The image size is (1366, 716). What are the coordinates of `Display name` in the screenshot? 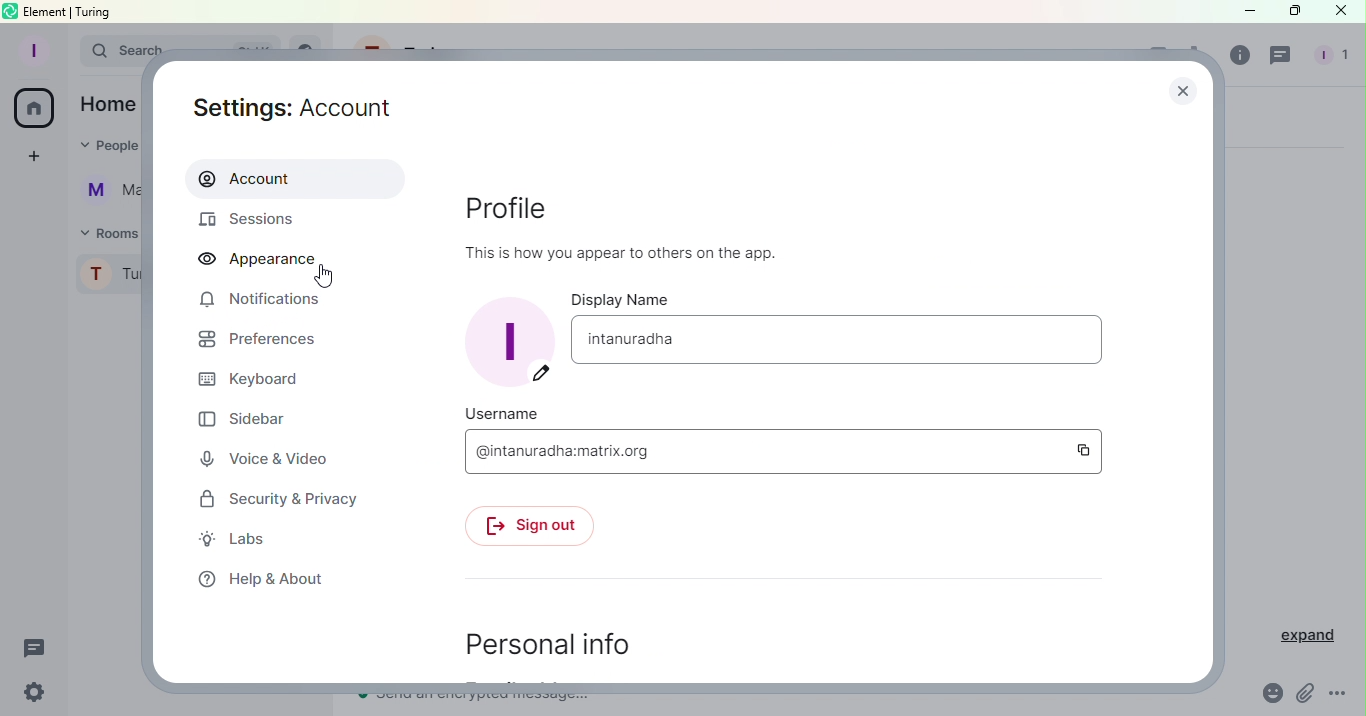 It's located at (623, 300).